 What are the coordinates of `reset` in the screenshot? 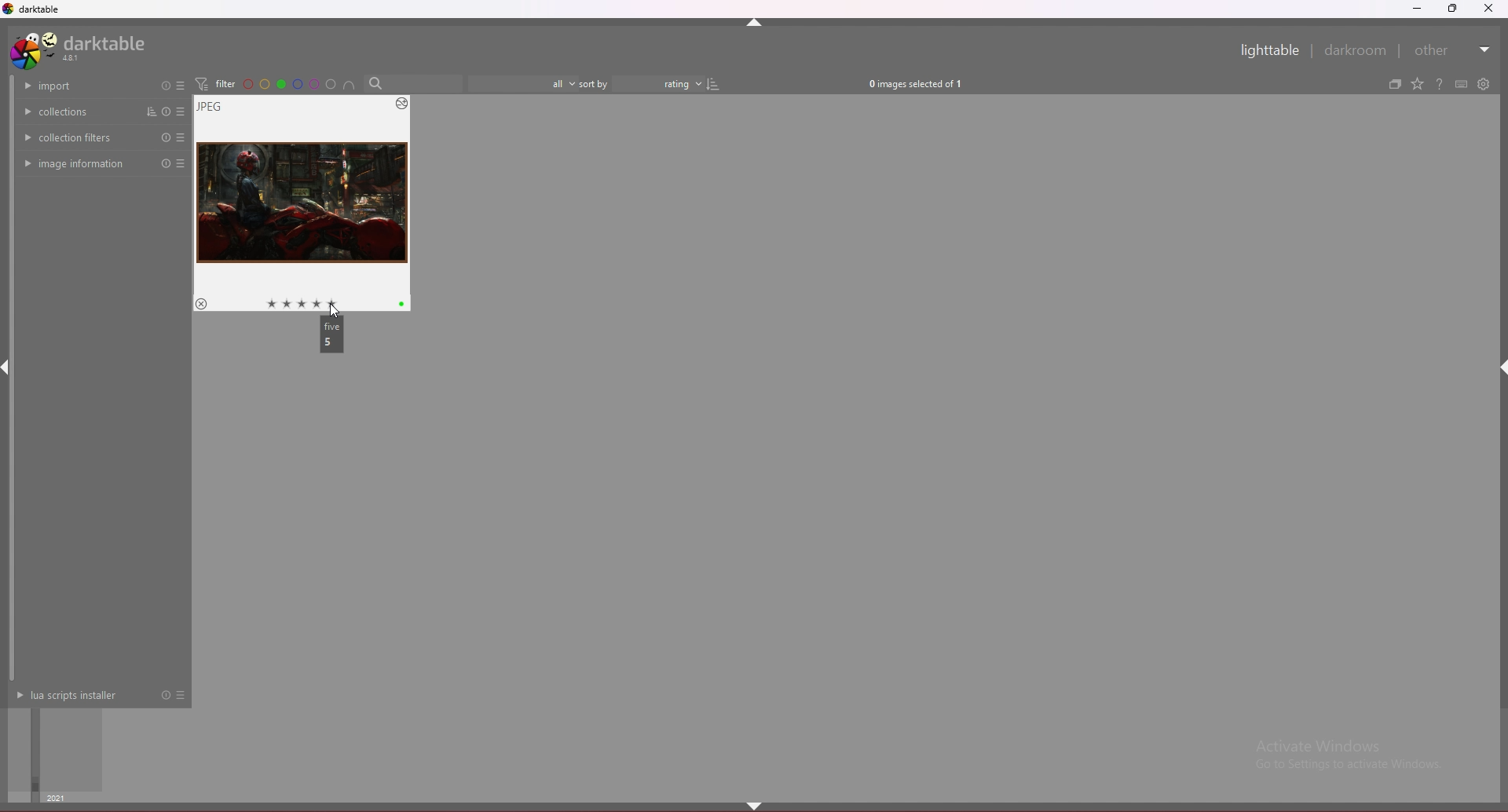 It's located at (167, 163).